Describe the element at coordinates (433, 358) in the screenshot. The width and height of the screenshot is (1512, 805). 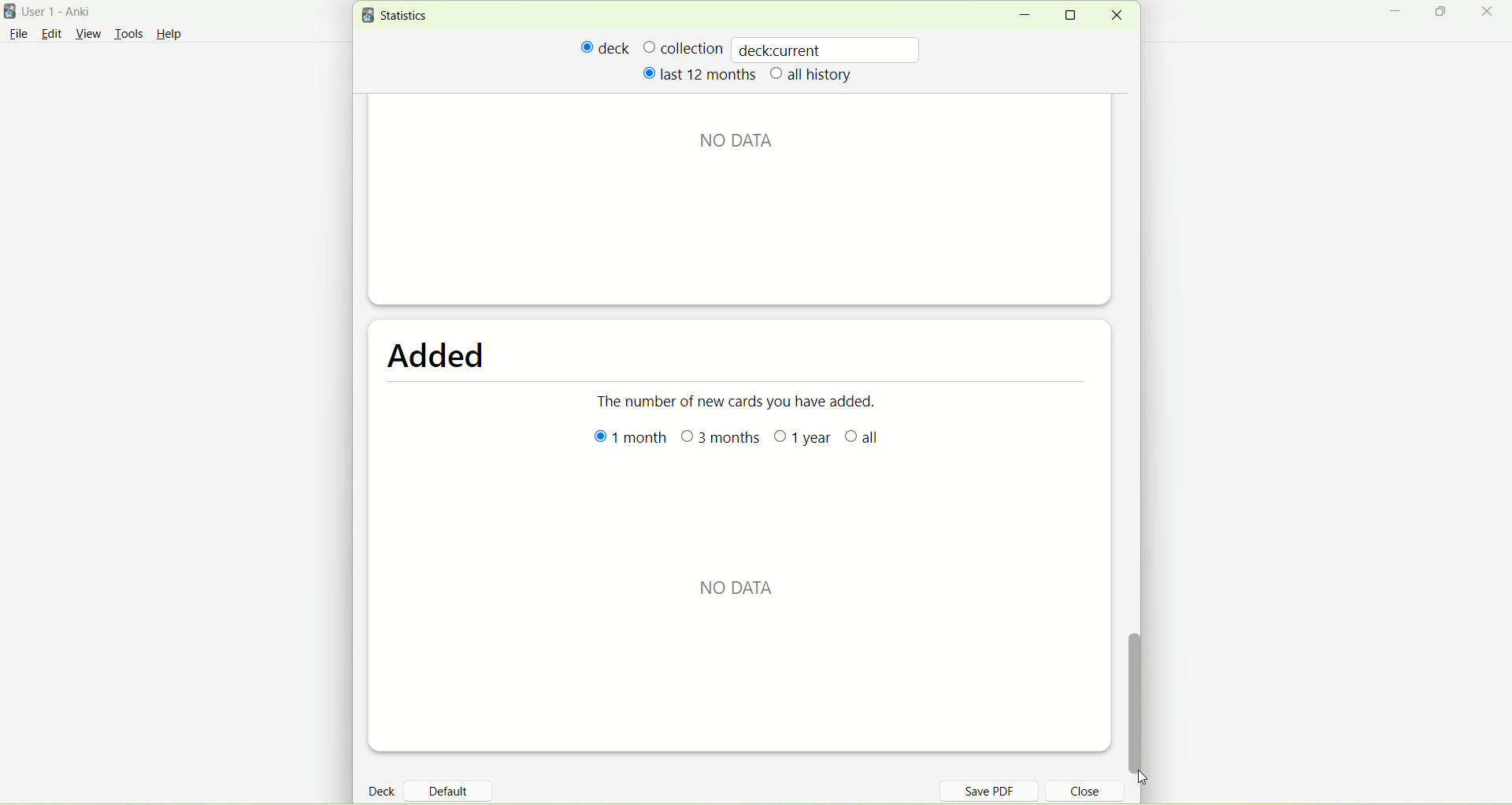
I see `added` at that location.